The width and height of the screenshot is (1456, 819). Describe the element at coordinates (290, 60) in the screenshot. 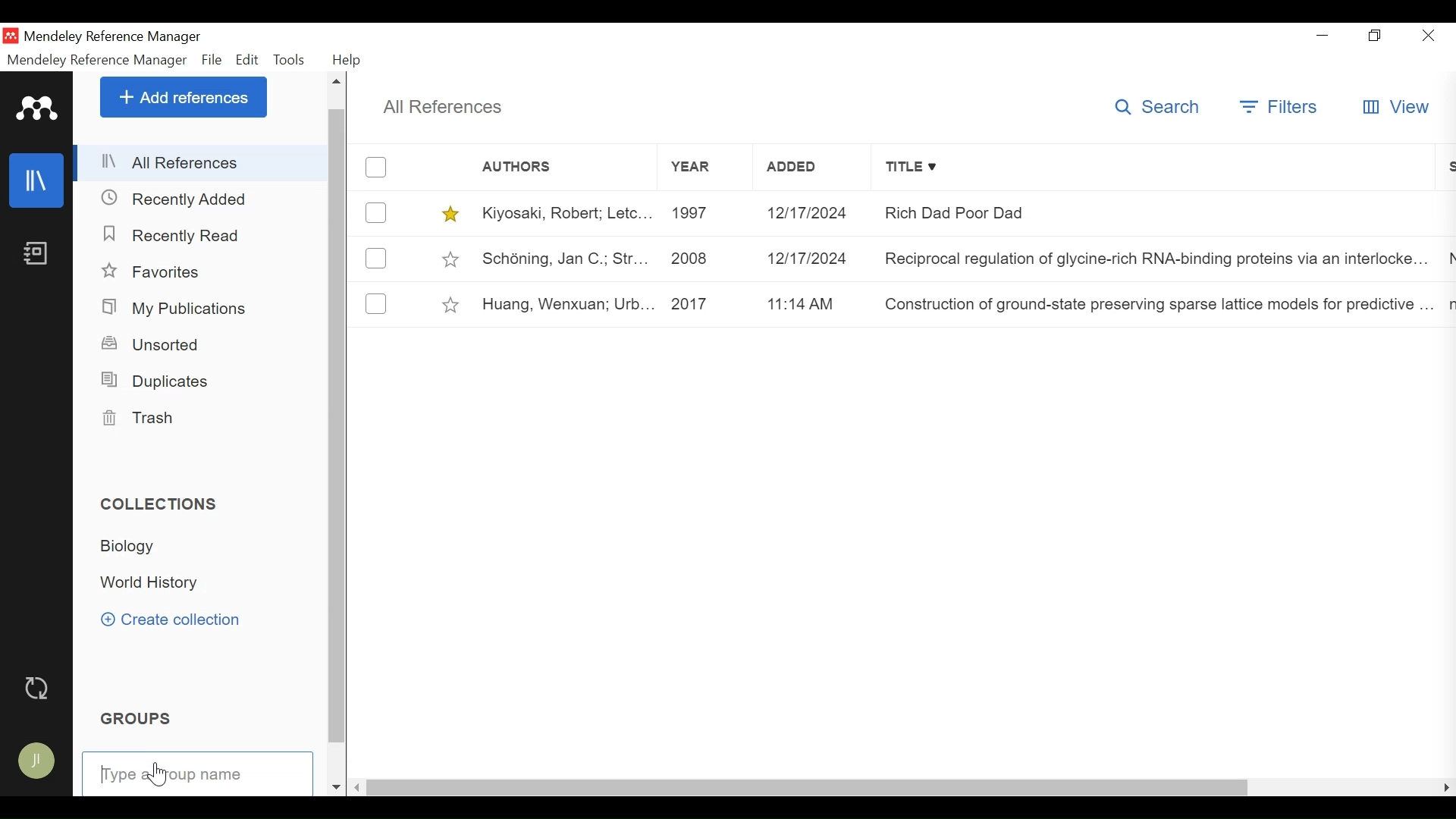

I see `Tools` at that location.